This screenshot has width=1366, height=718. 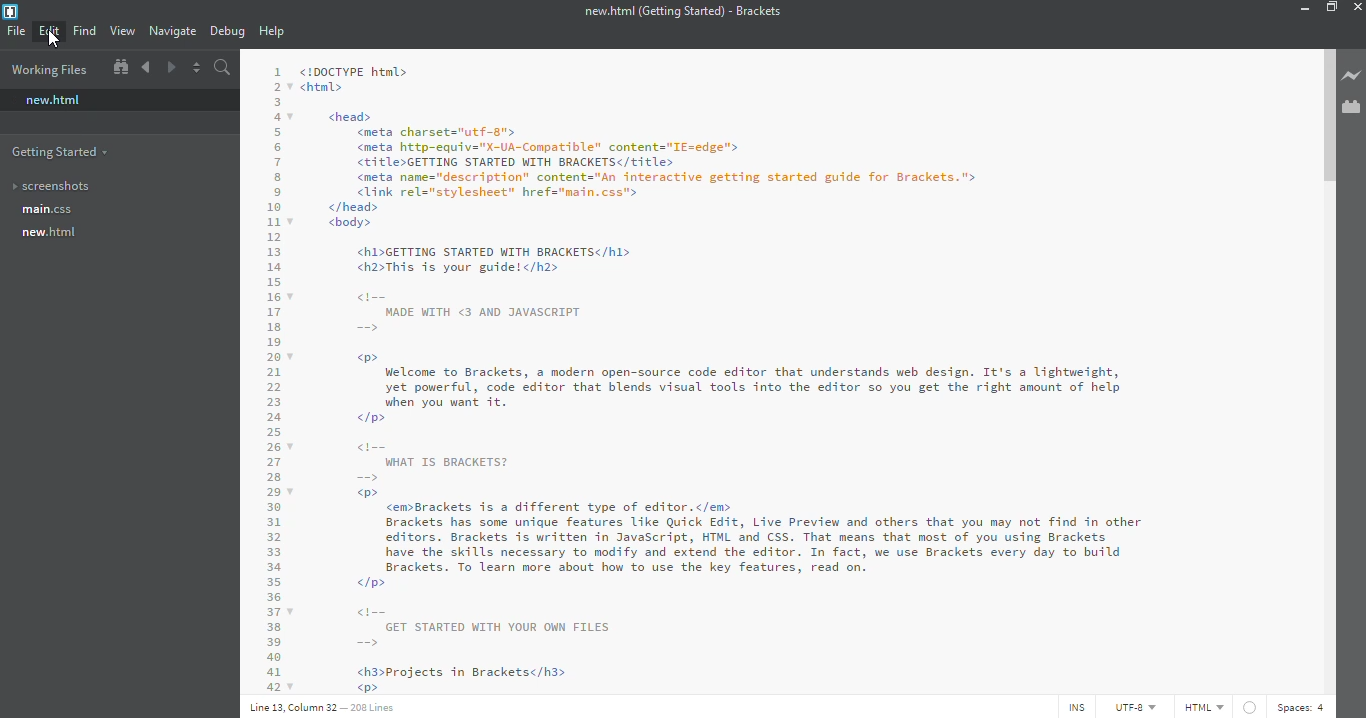 What do you see at coordinates (1351, 106) in the screenshot?
I see `enable extension` at bounding box center [1351, 106].